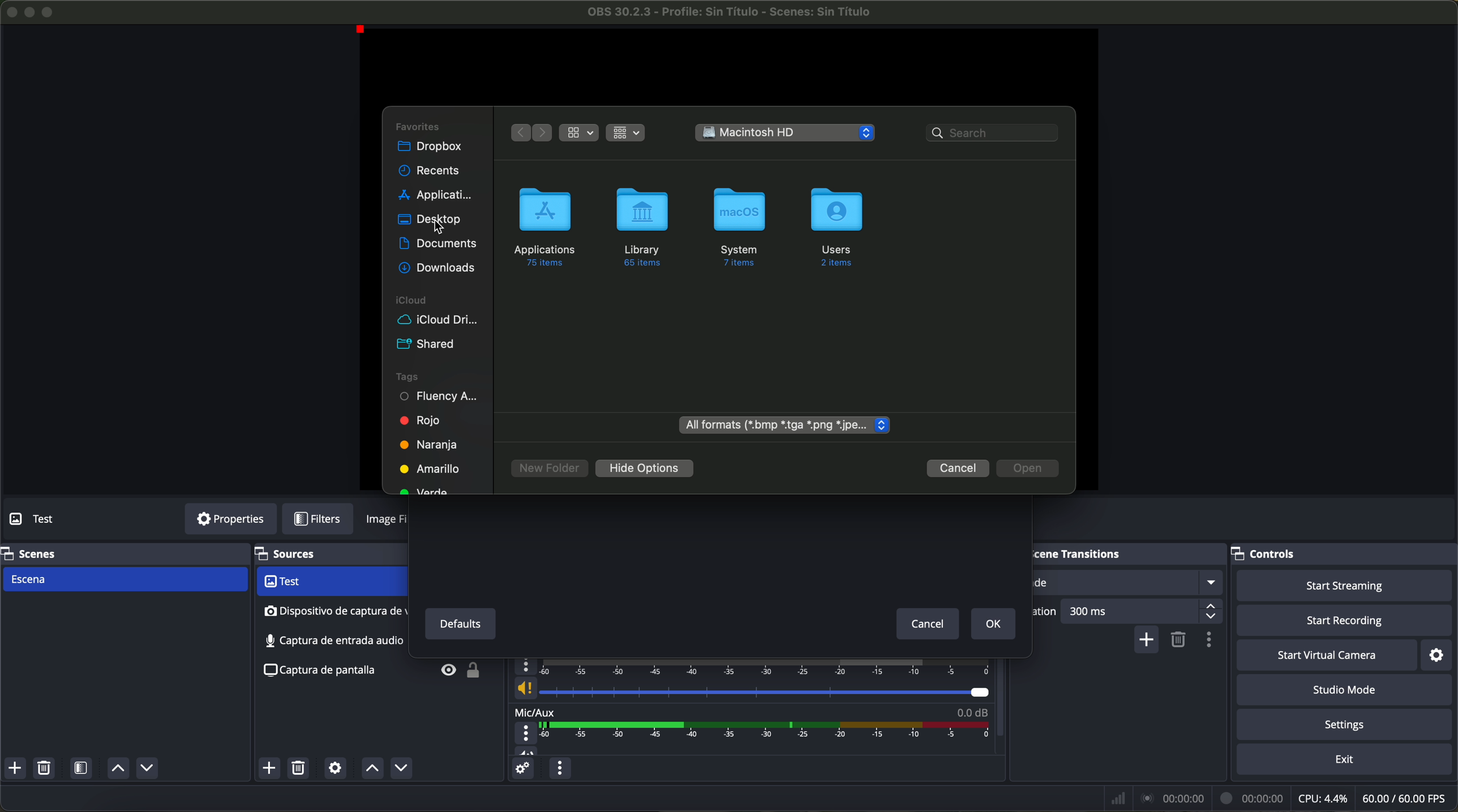 This screenshot has width=1458, height=812. Describe the element at coordinates (438, 320) in the screenshot. I see `icloud drive` at that location.